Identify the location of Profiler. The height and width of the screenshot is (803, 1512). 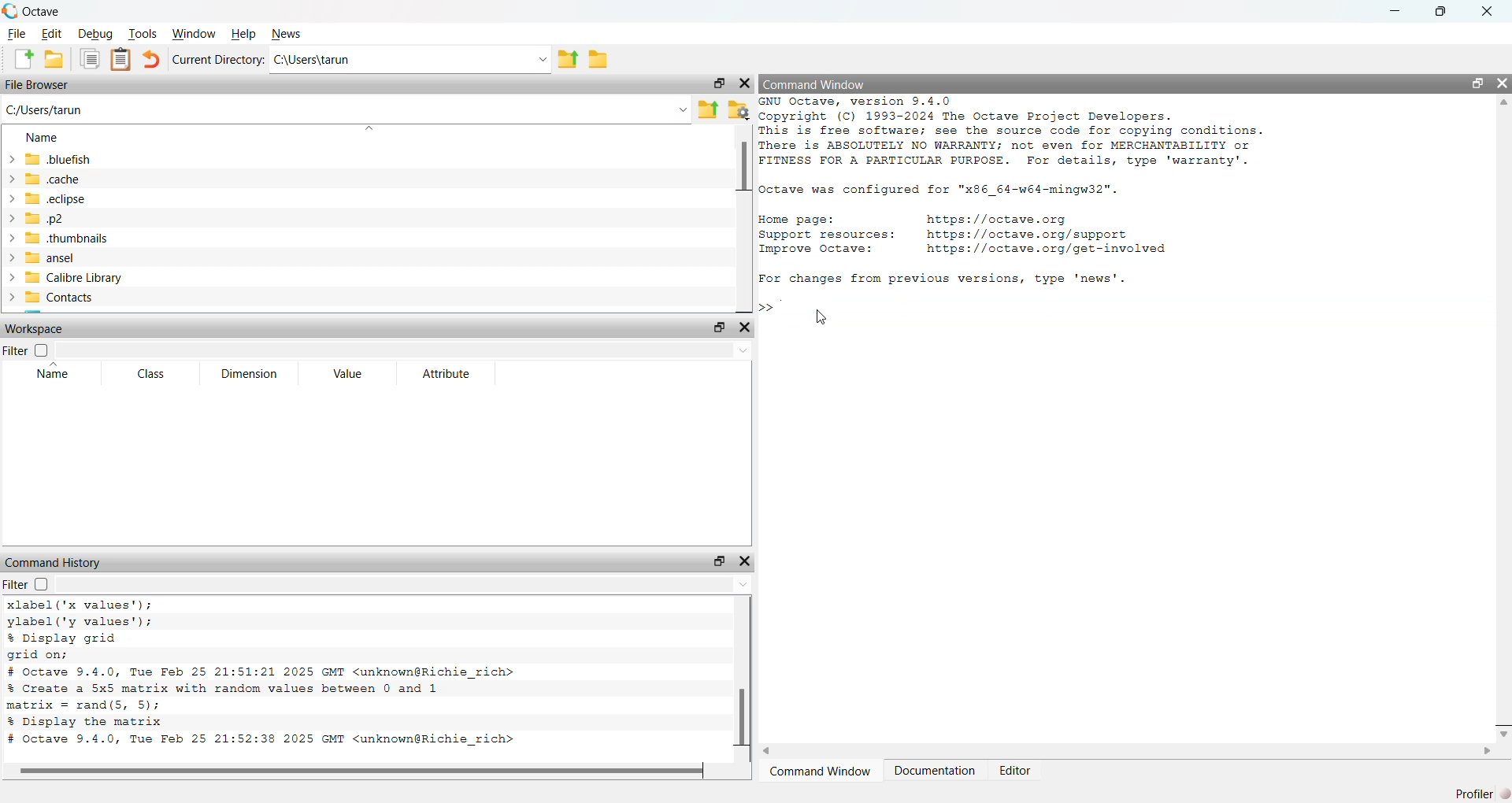
(1471, 793).